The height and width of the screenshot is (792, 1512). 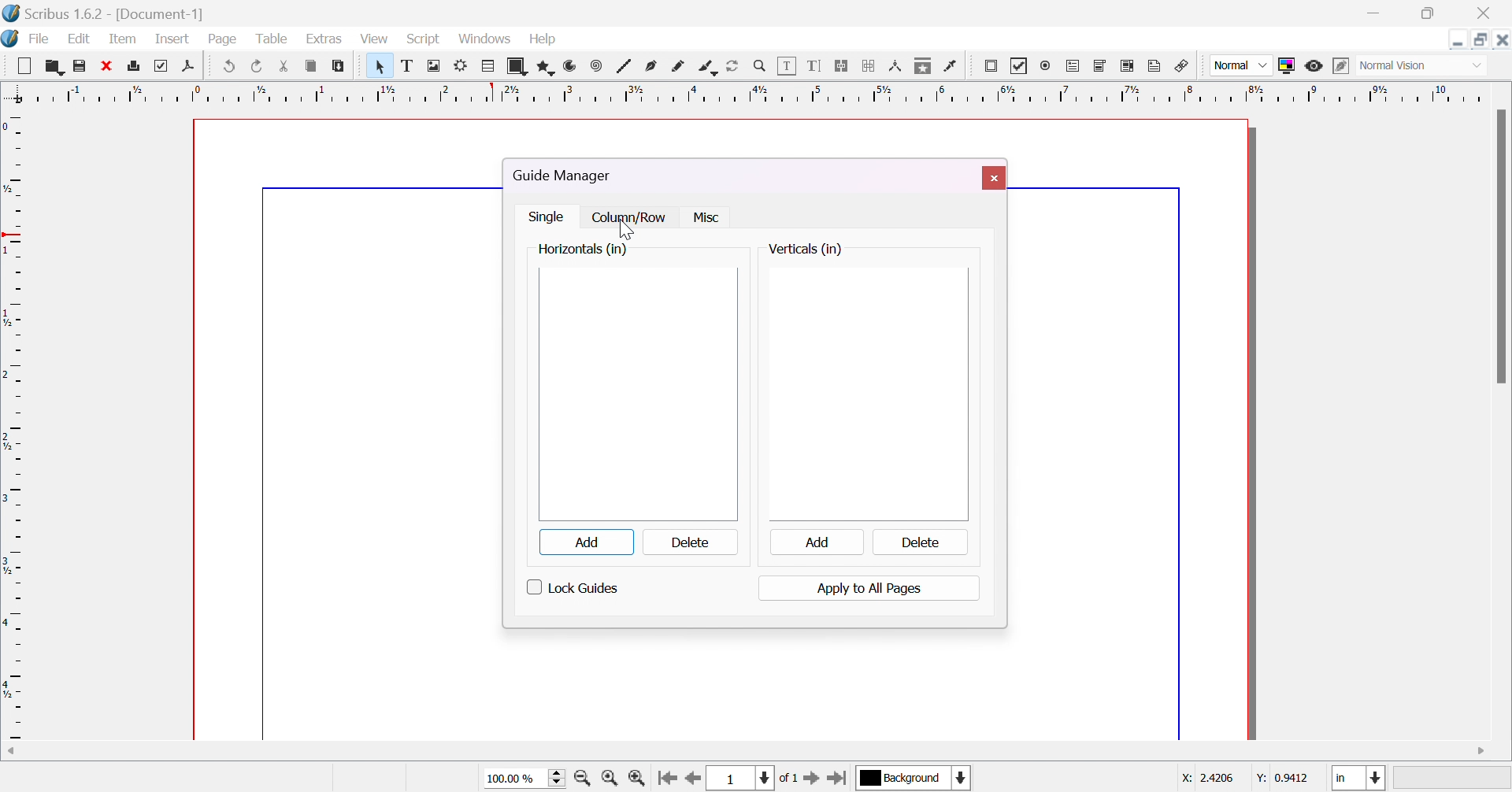 What do you see at coordinates (79, 39) in the screenshot?
I see `edit` at bounding box center [79, 39].